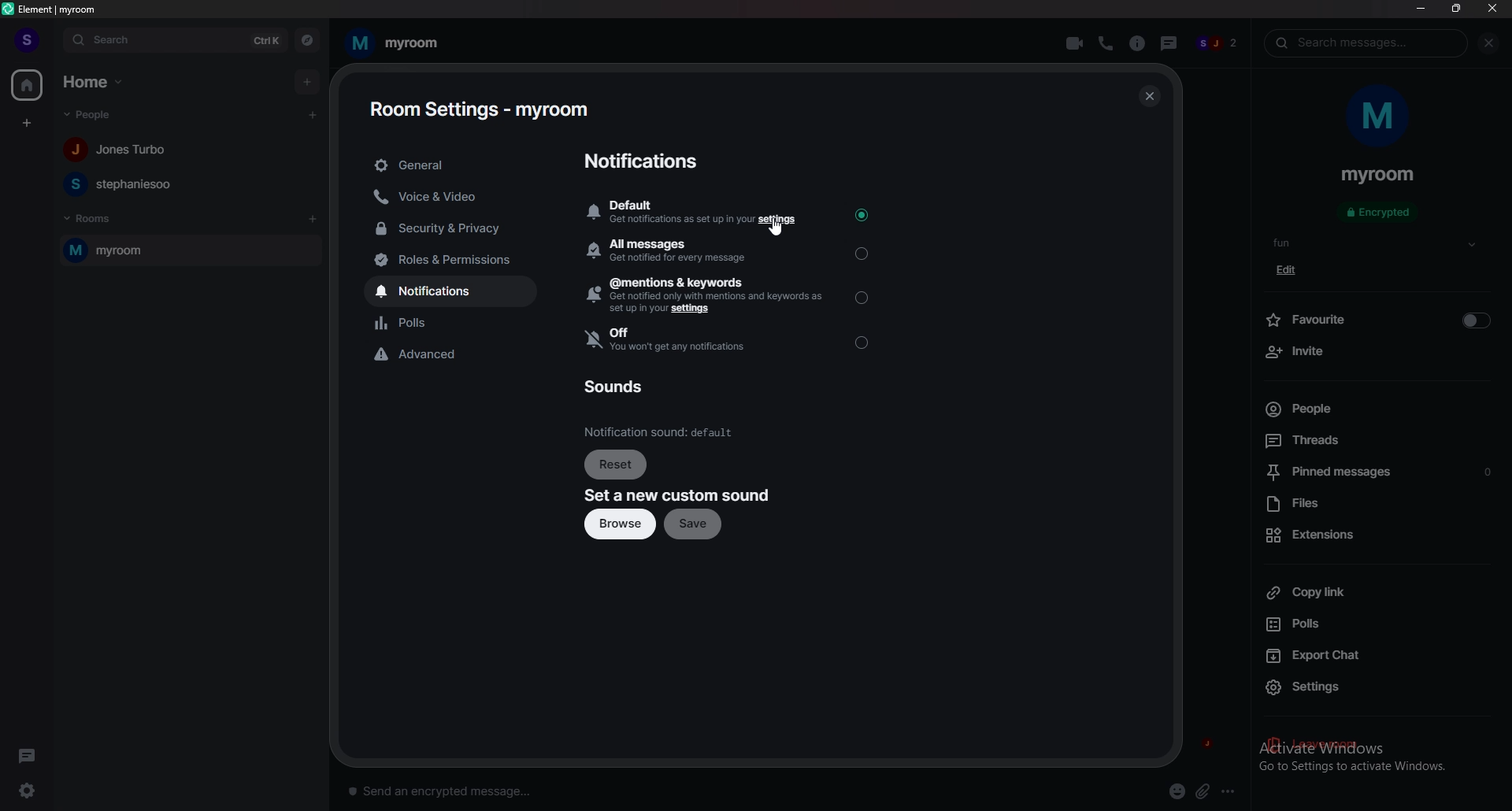  What do you see at coordinates (452, 165) in the screenshot?
I see `general` at bounding box center [452, 165].